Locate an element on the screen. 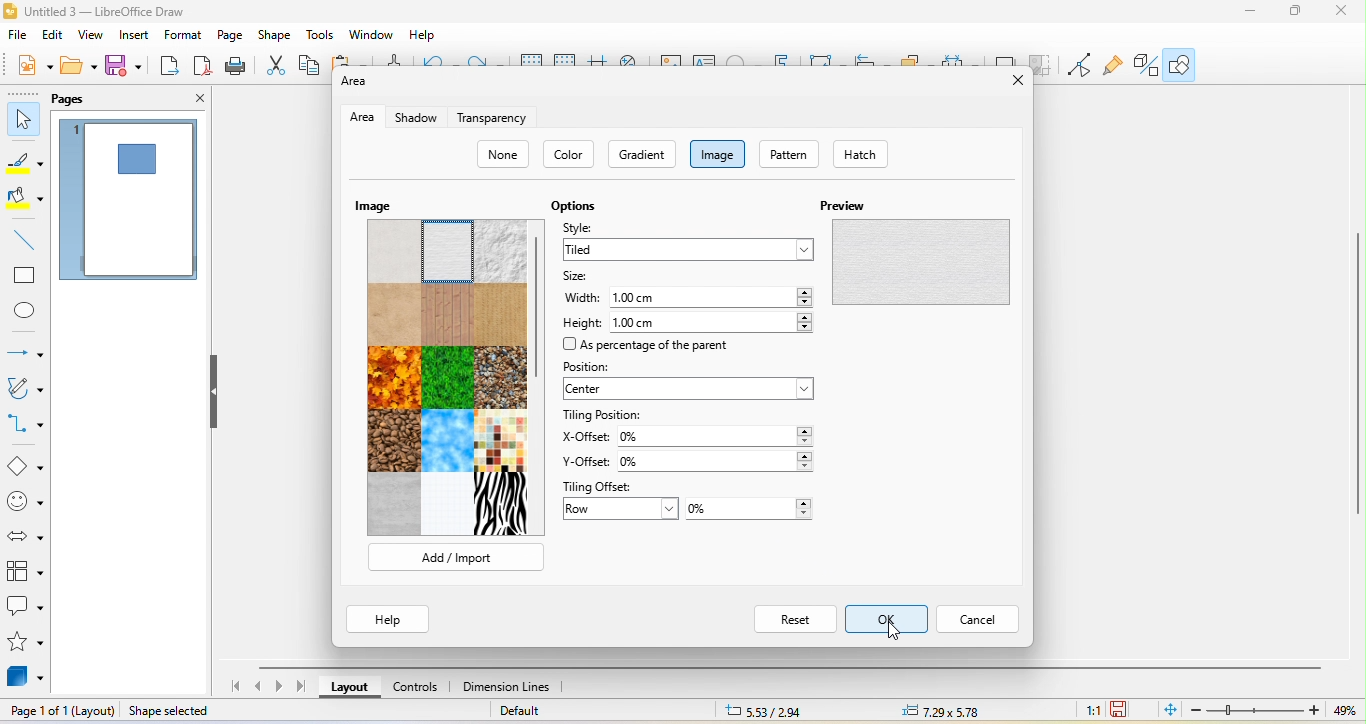 This screenshot has height=724, width=1366. add/ import is located at coordinates (457, 558).